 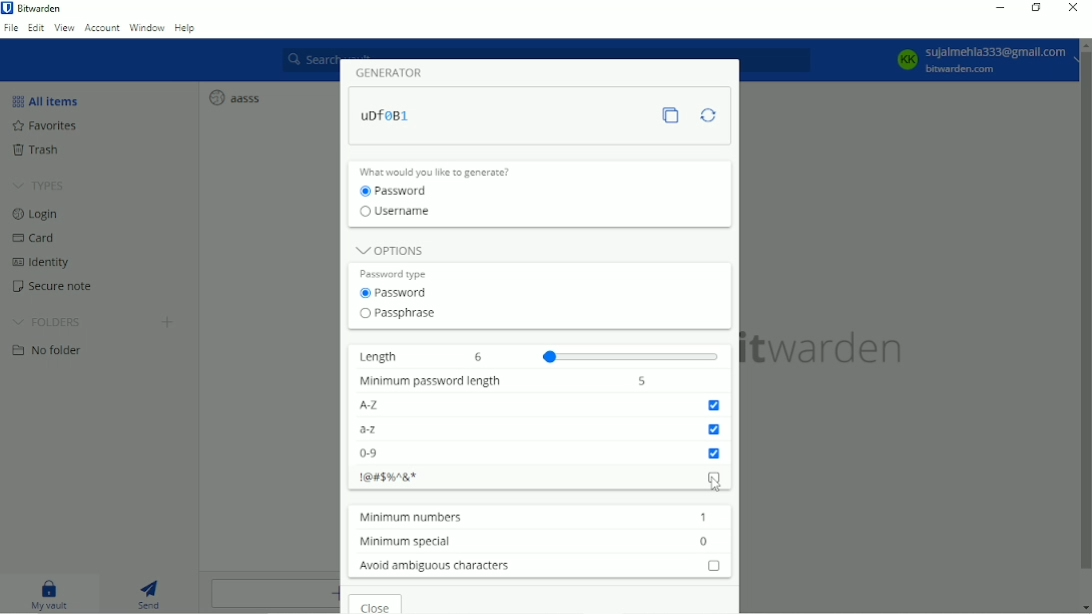 What do you see at coordinates (706, 543) in the screenshot?
I see `minimum special character input` at bounding box center [706, 543].